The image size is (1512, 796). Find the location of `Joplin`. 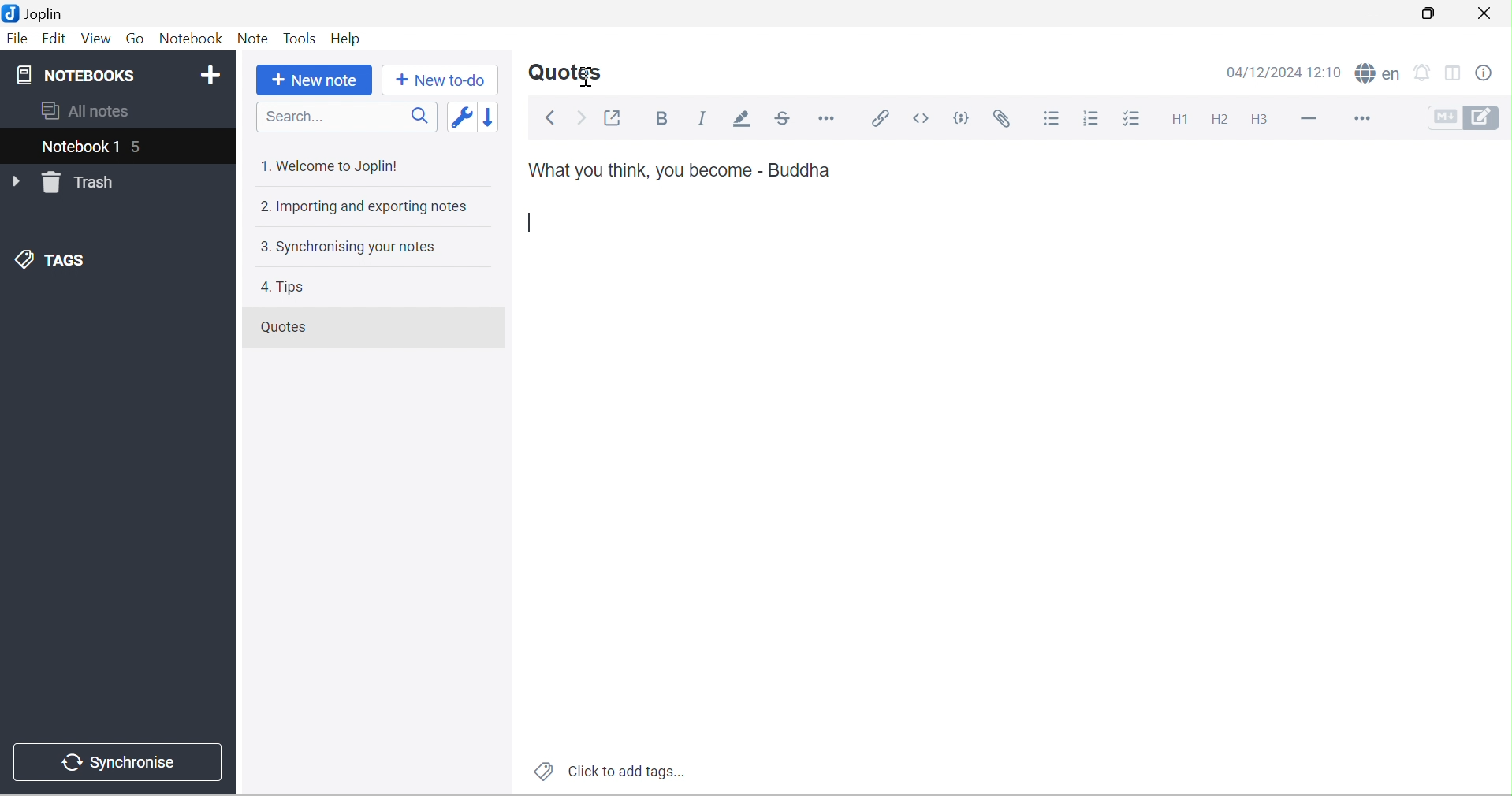

Joplin is located at coordinates (39, 13).